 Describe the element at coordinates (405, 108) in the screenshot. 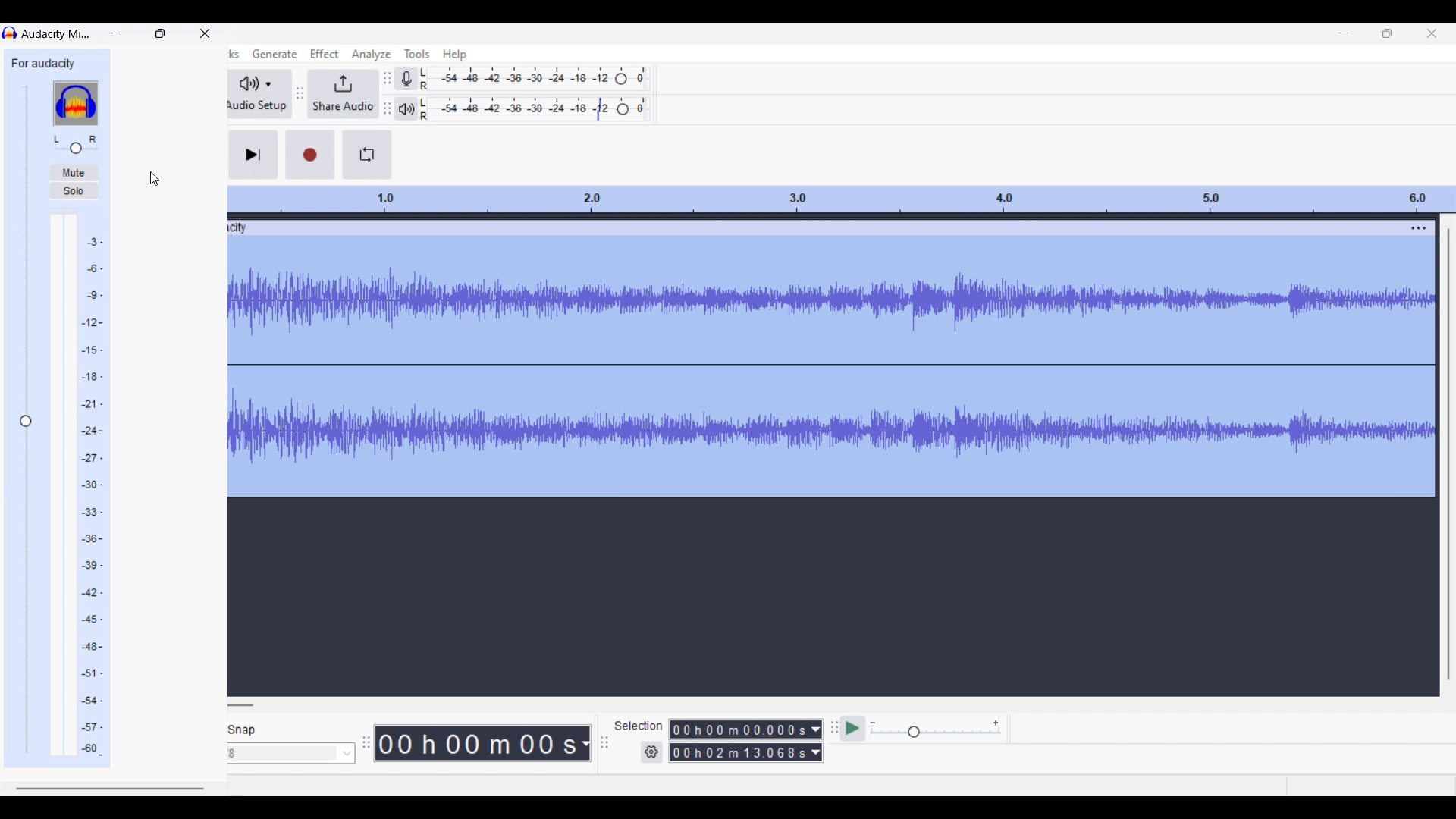

I see `Playback meter` at that location.